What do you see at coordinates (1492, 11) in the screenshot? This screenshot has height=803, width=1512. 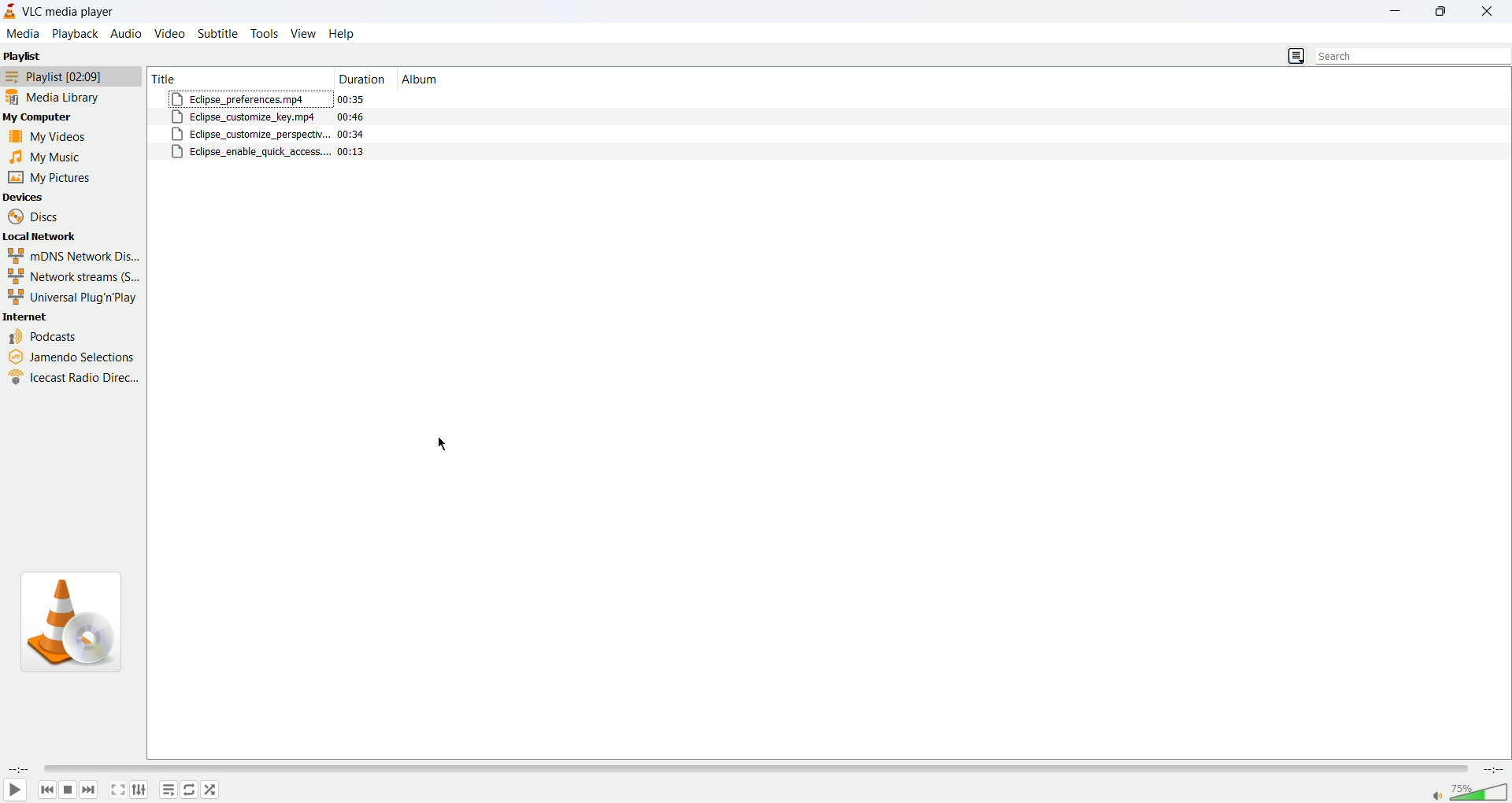 I see `close` at bounding box center [1492, 11].